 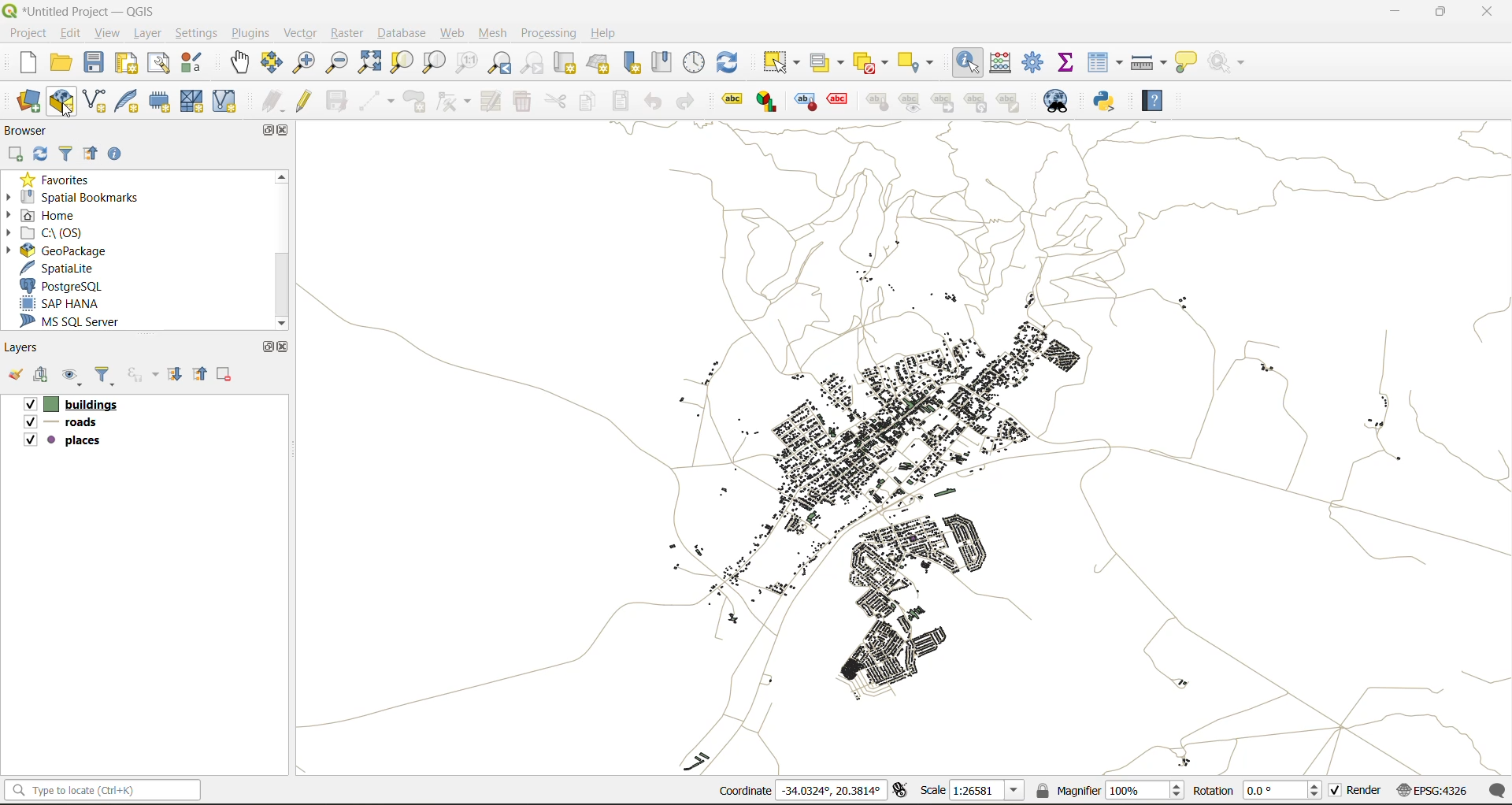 I want to click on new geopackage , so click(x=62, y=102).